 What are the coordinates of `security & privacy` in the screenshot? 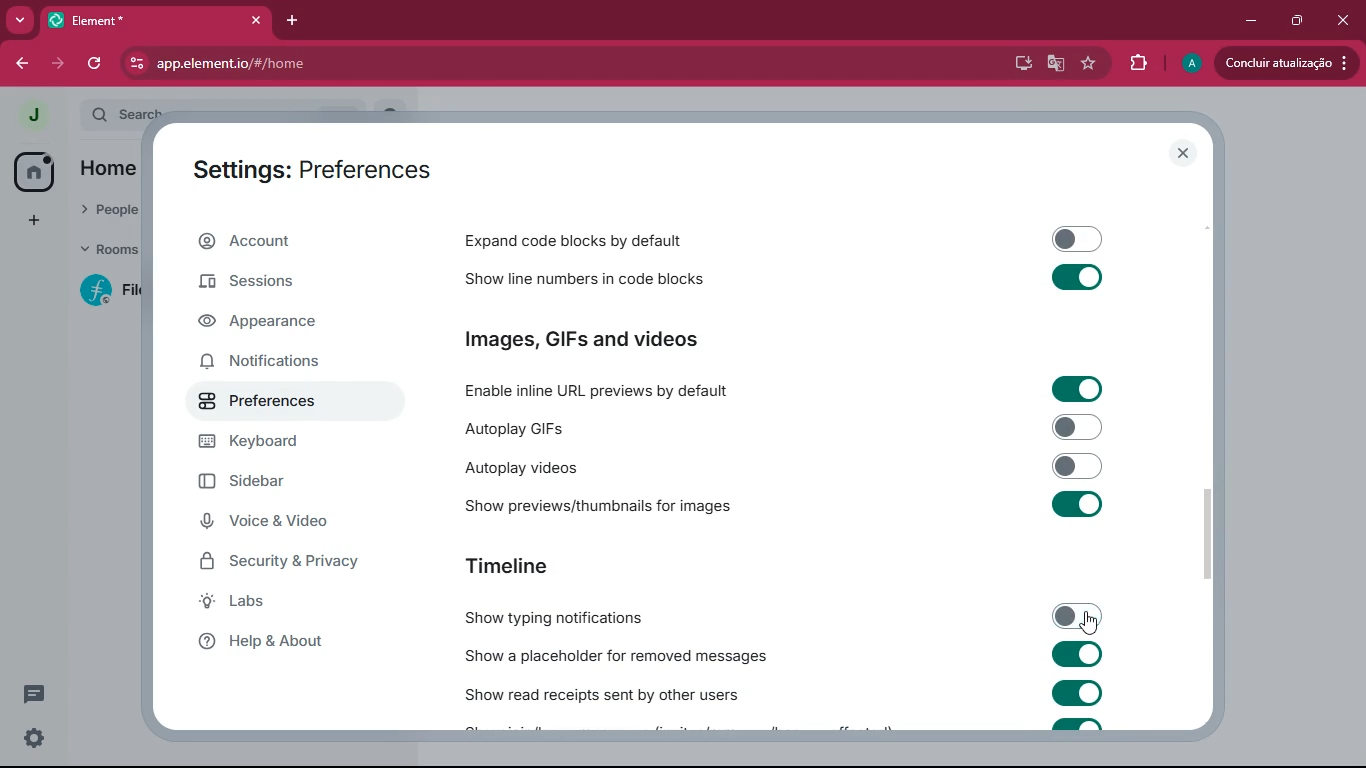 It's located at (292, 562).